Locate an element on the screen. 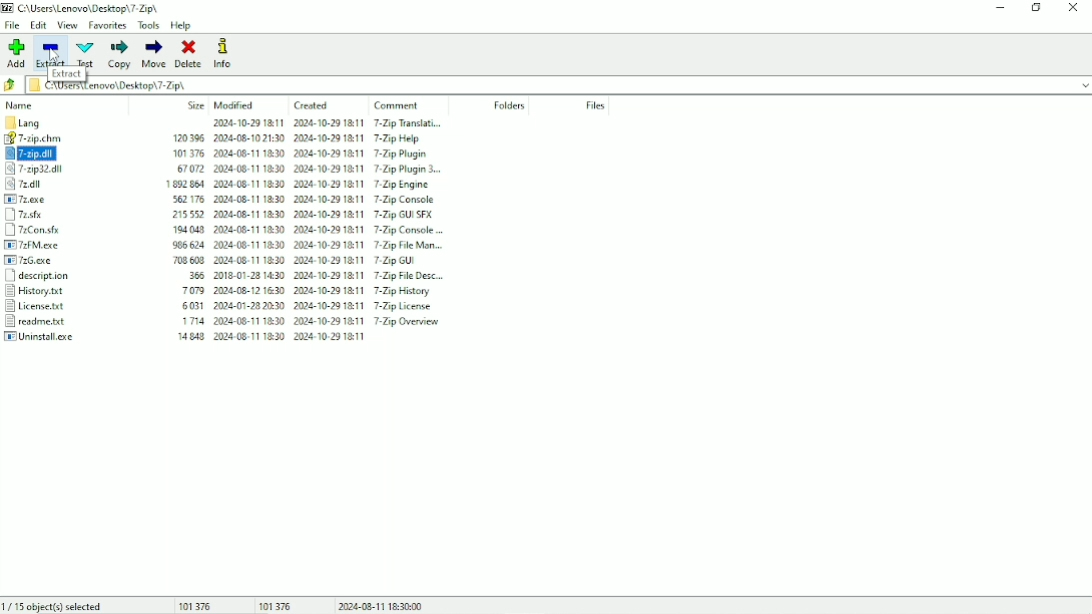 The image size is (1092, 614). 101376 2004-08-11 1230 2008-90-29 1811 7-Zip Plugin is located at coordinates (320, 152).